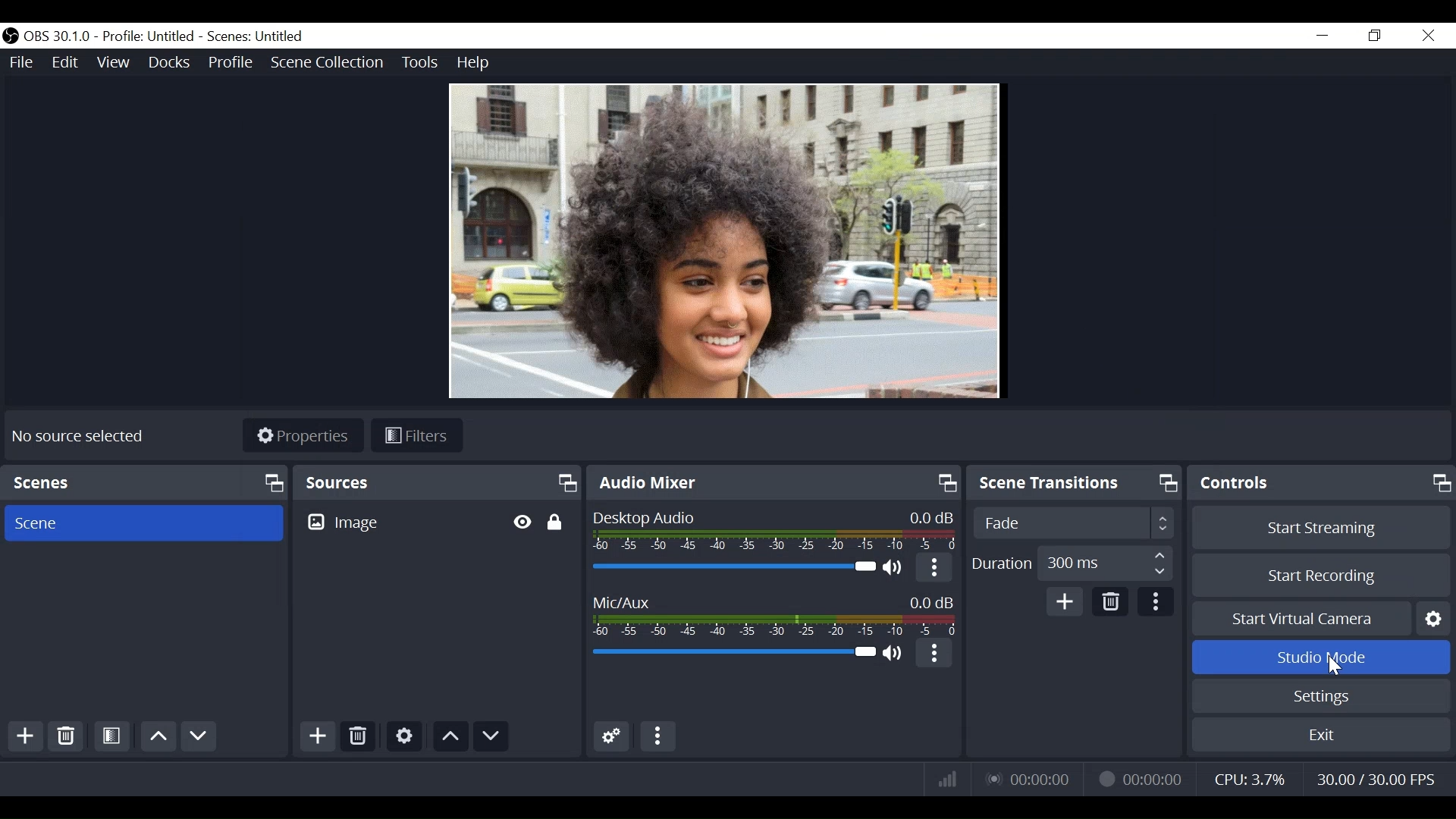  What do you see at coordinates (1114, 603) in the screenshot?
I see `Delete` at bounding box center [1114, 603].